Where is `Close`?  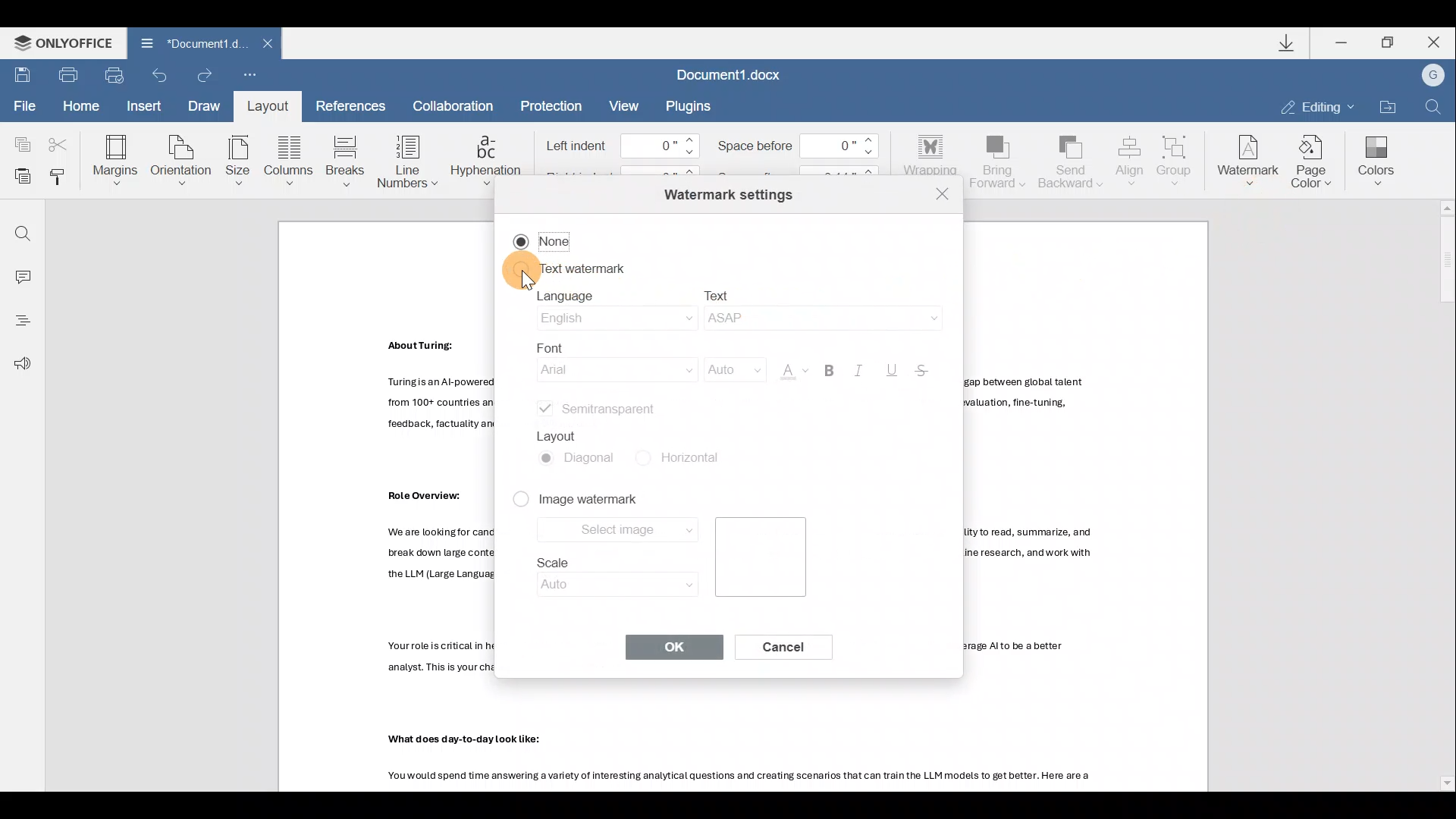 Close is located at coordinates (1432, 42).